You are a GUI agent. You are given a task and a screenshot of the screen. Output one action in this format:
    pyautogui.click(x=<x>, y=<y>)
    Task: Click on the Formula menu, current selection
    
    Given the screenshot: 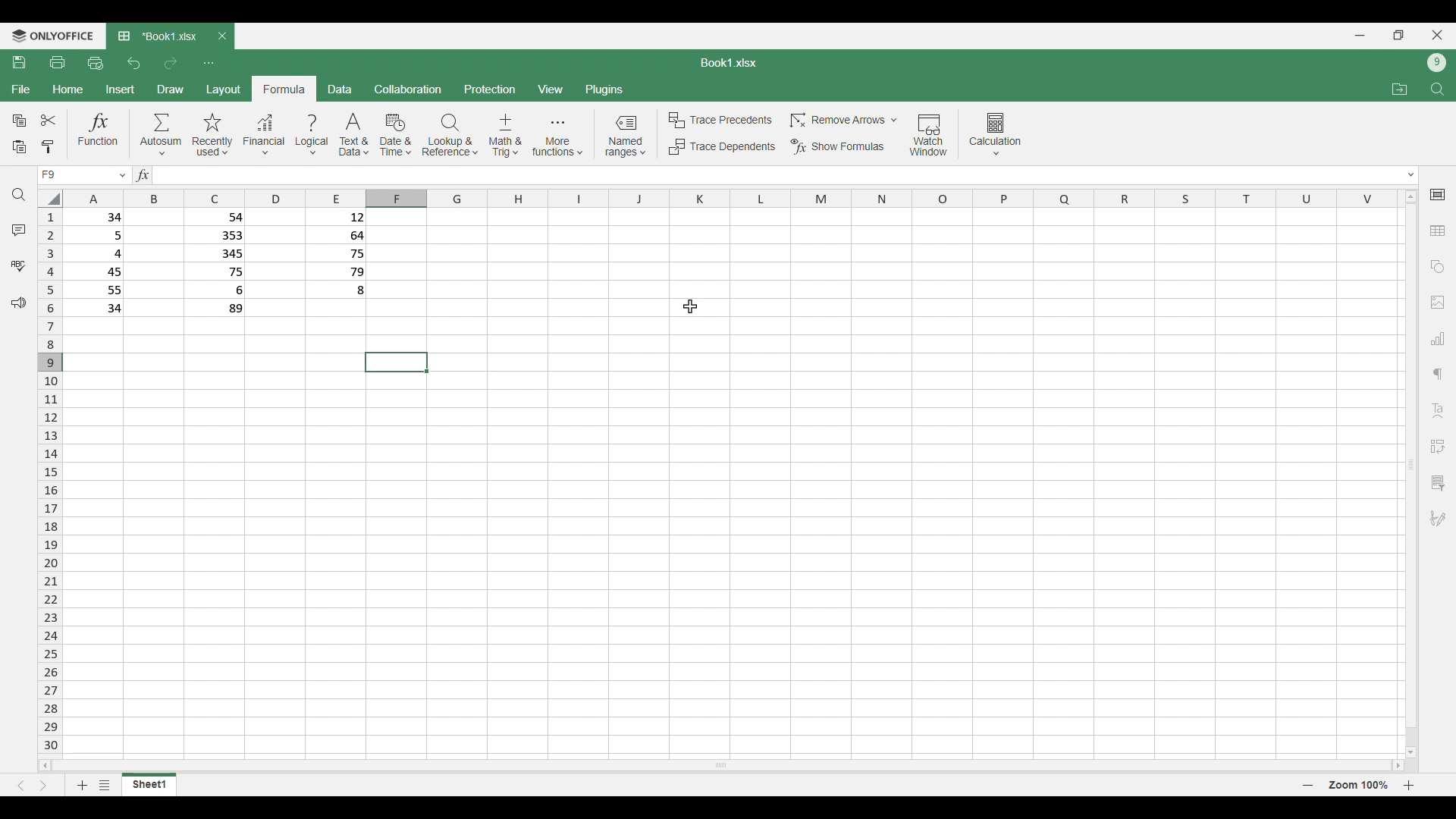 What is the action you would take?
    pyautogui.click(x=285, y=89)
    